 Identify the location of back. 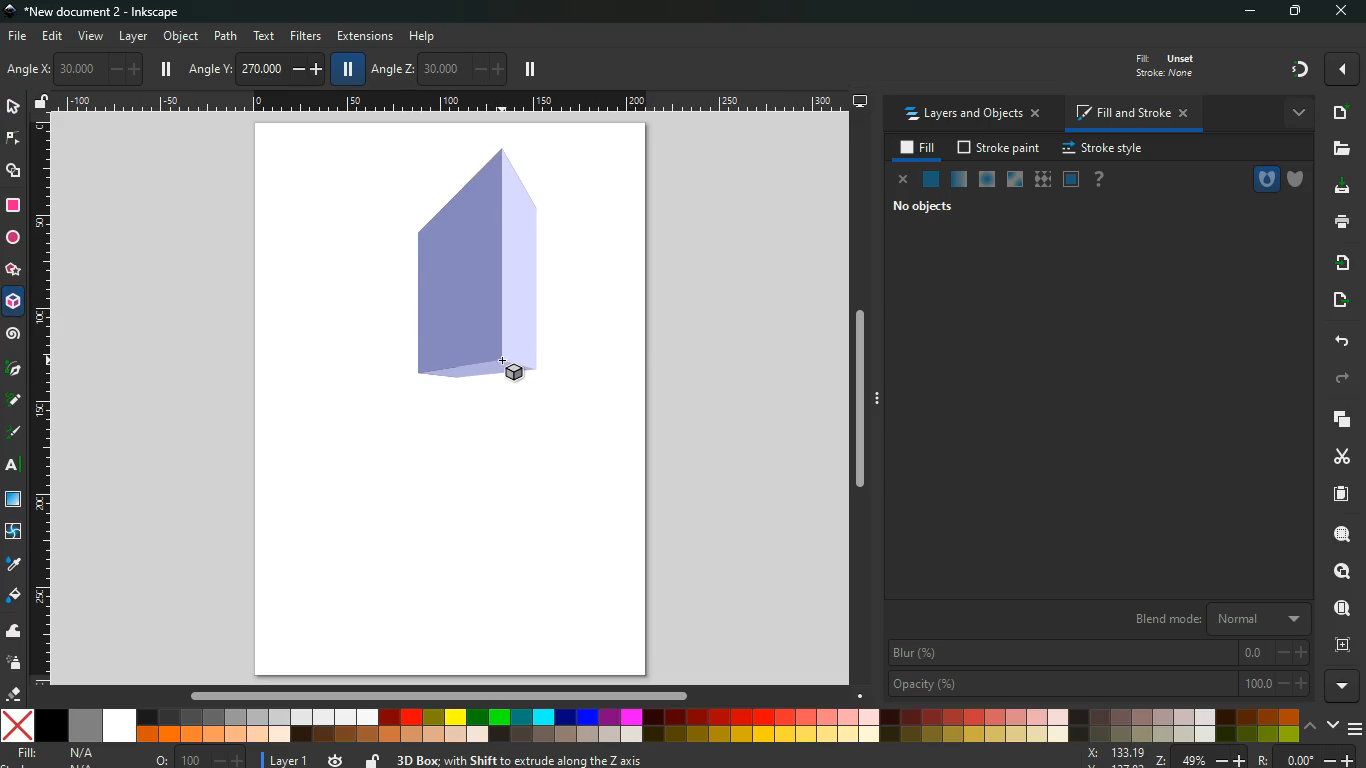
(1338, 341).